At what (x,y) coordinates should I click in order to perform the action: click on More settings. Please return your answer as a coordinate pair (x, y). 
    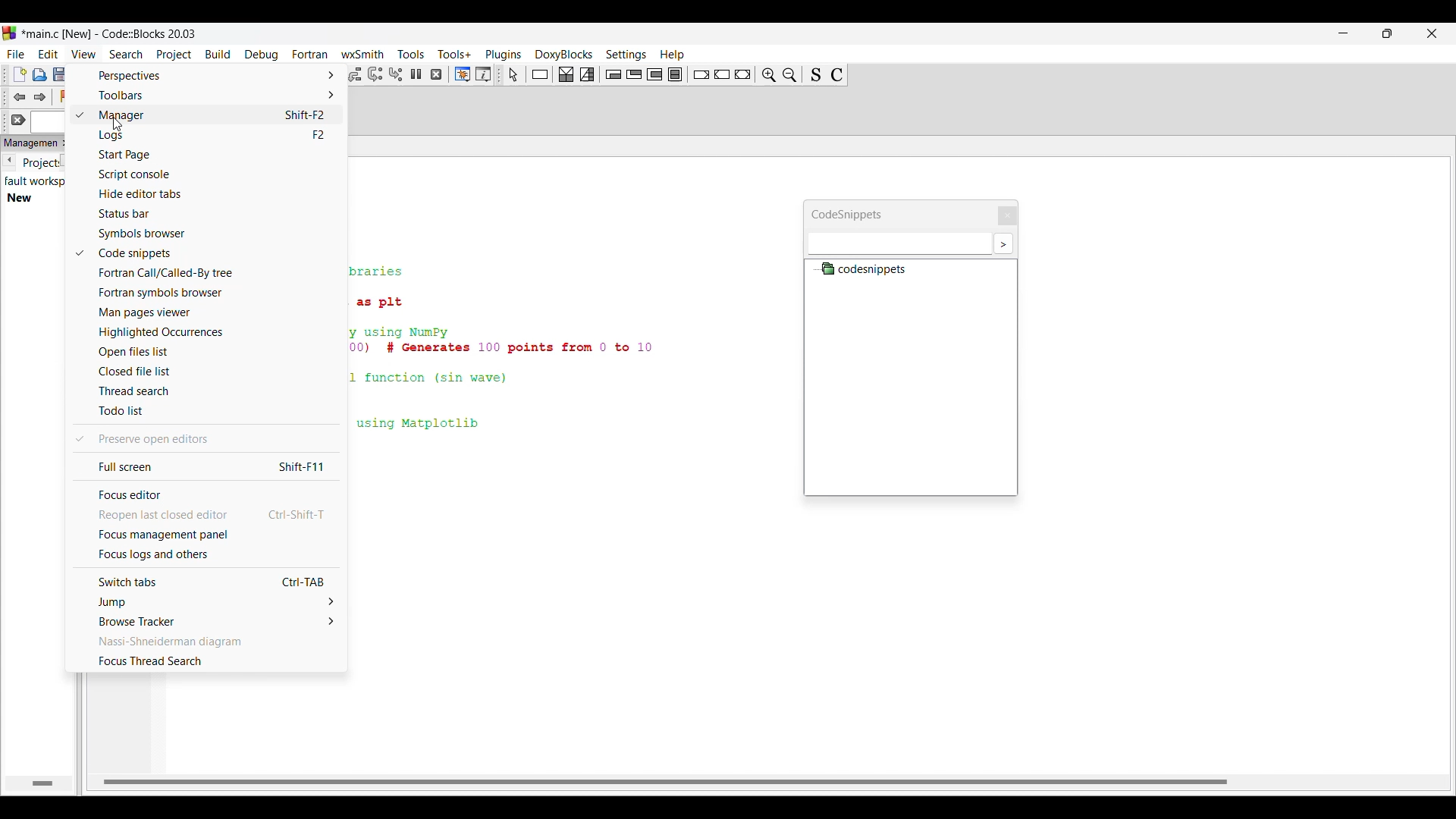
    Looking at the image, I should click on (1003, 243).